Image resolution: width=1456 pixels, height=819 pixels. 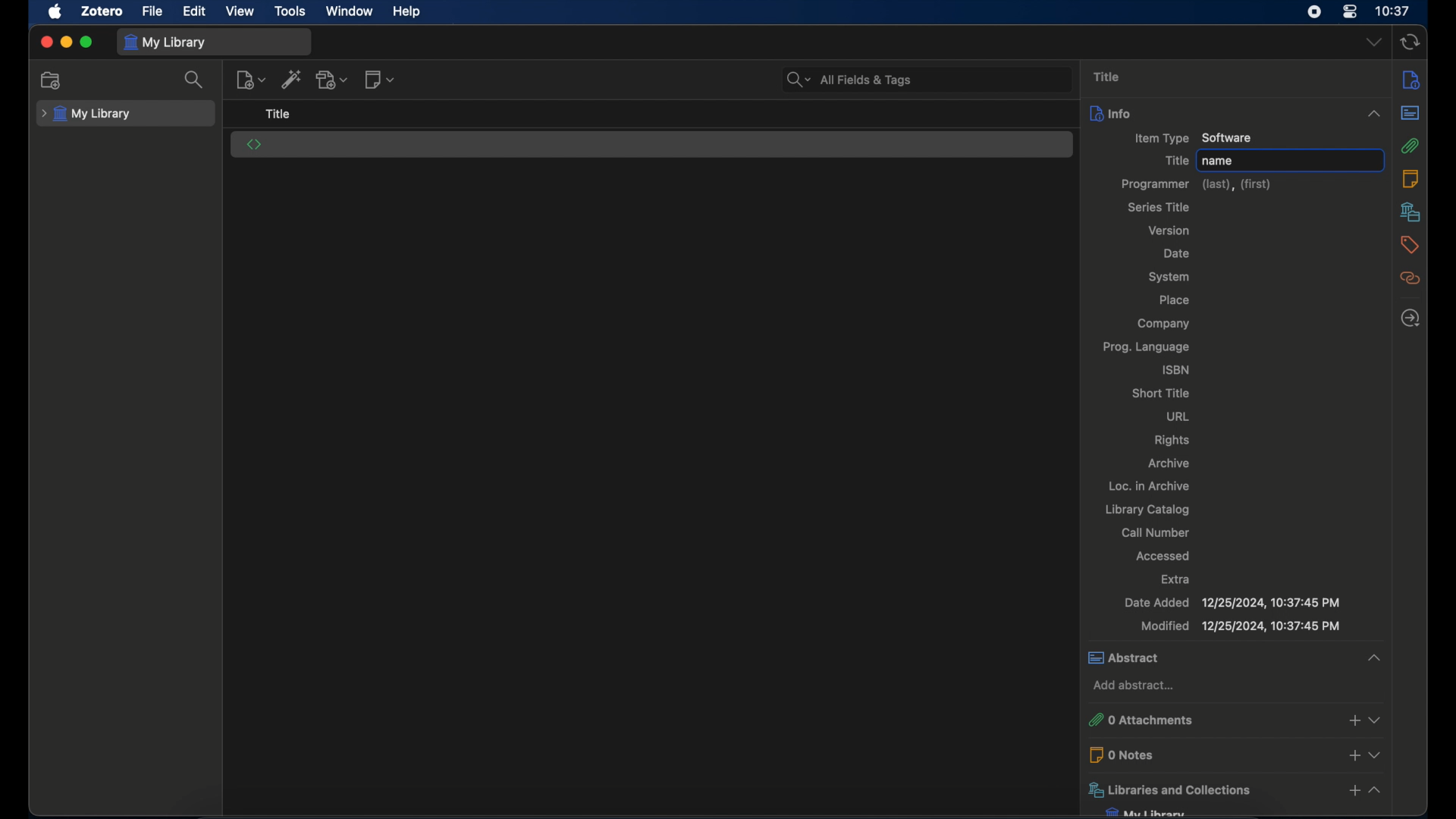 What do you see at coordinates (153, 12) in the screenshot?
I see `file` at bounding box center [153, 12].